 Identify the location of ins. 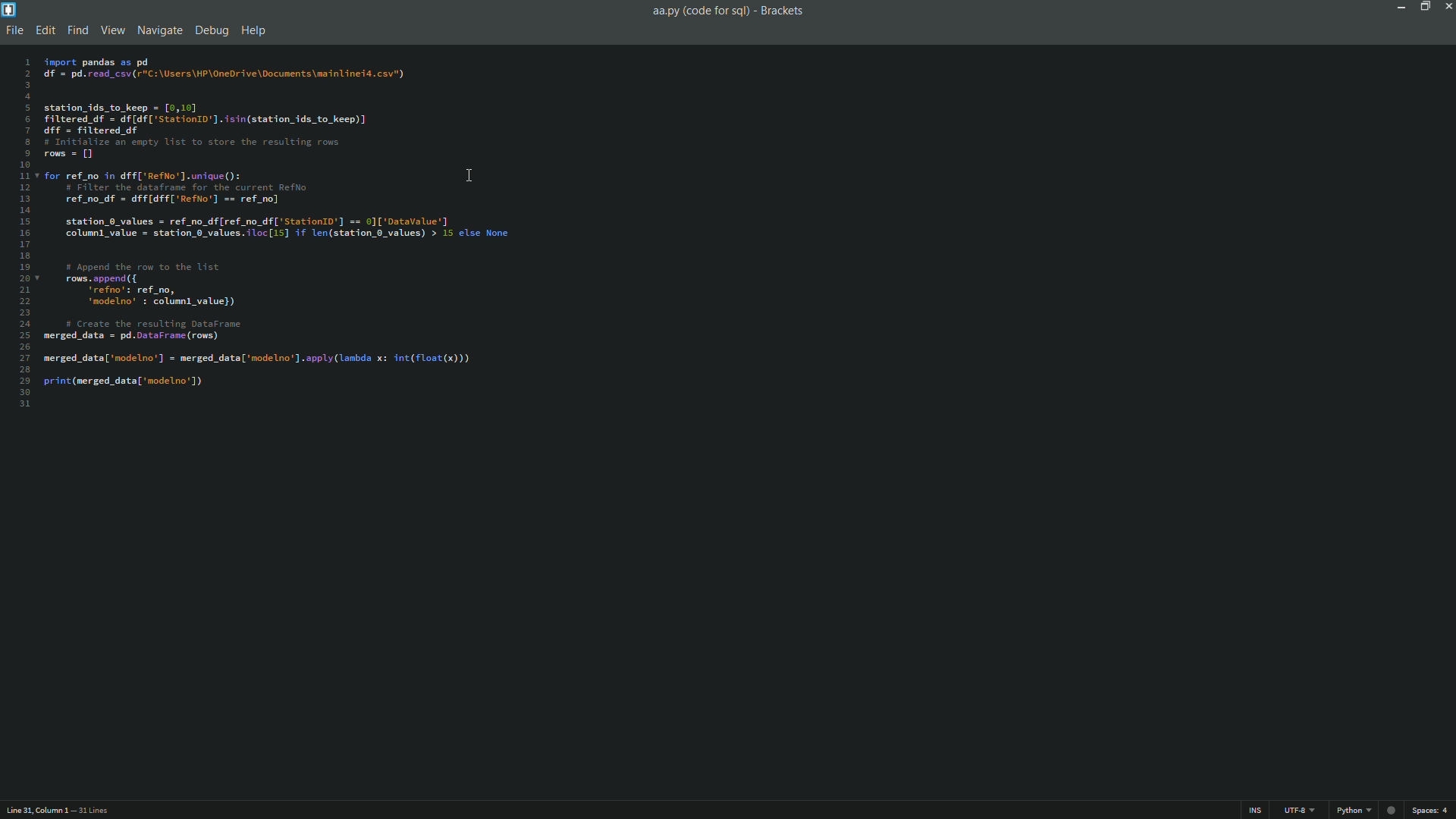
(1253, 808).